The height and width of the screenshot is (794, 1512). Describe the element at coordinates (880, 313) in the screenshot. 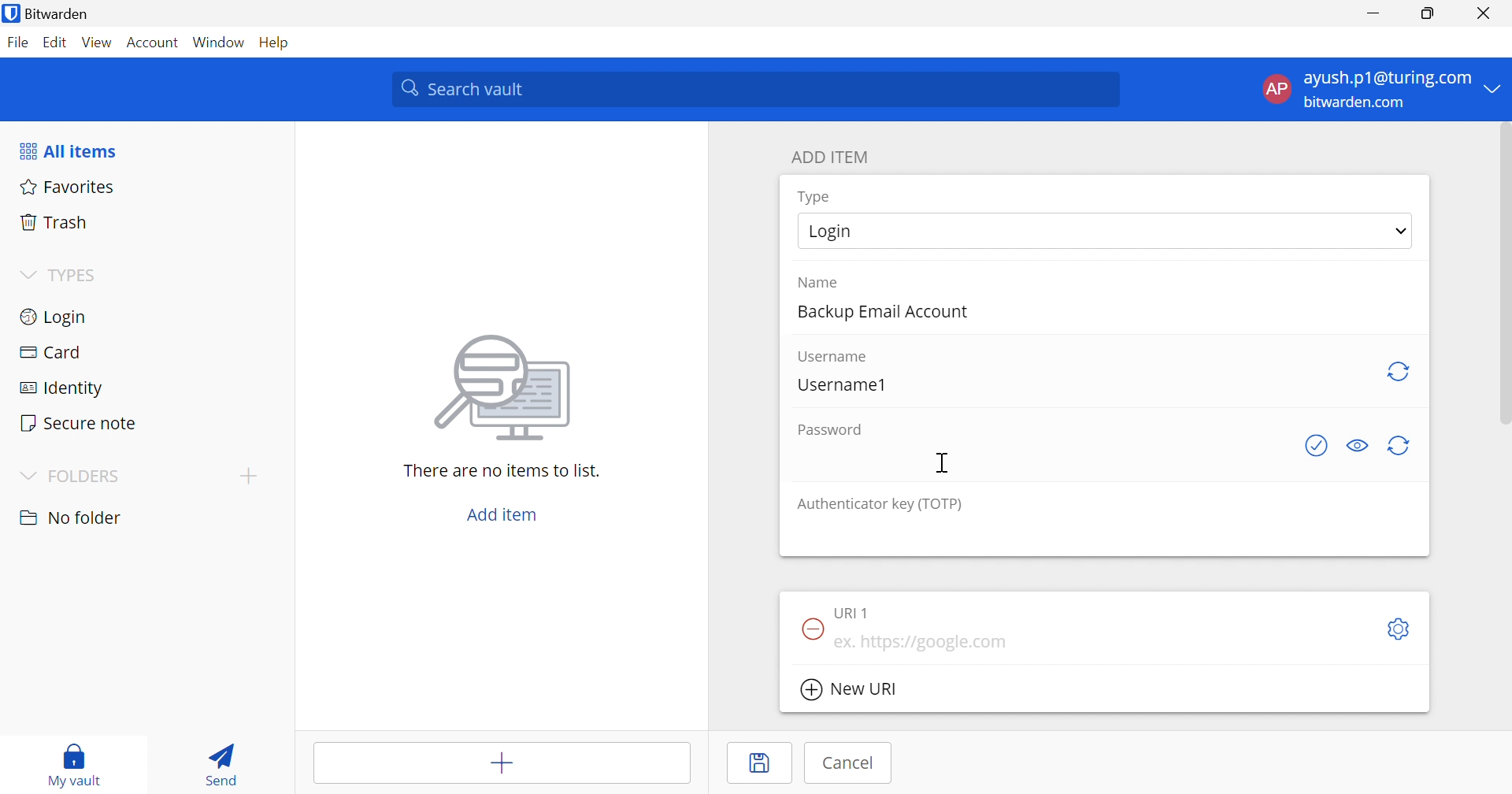

I see `Backup Email Account` at that location.